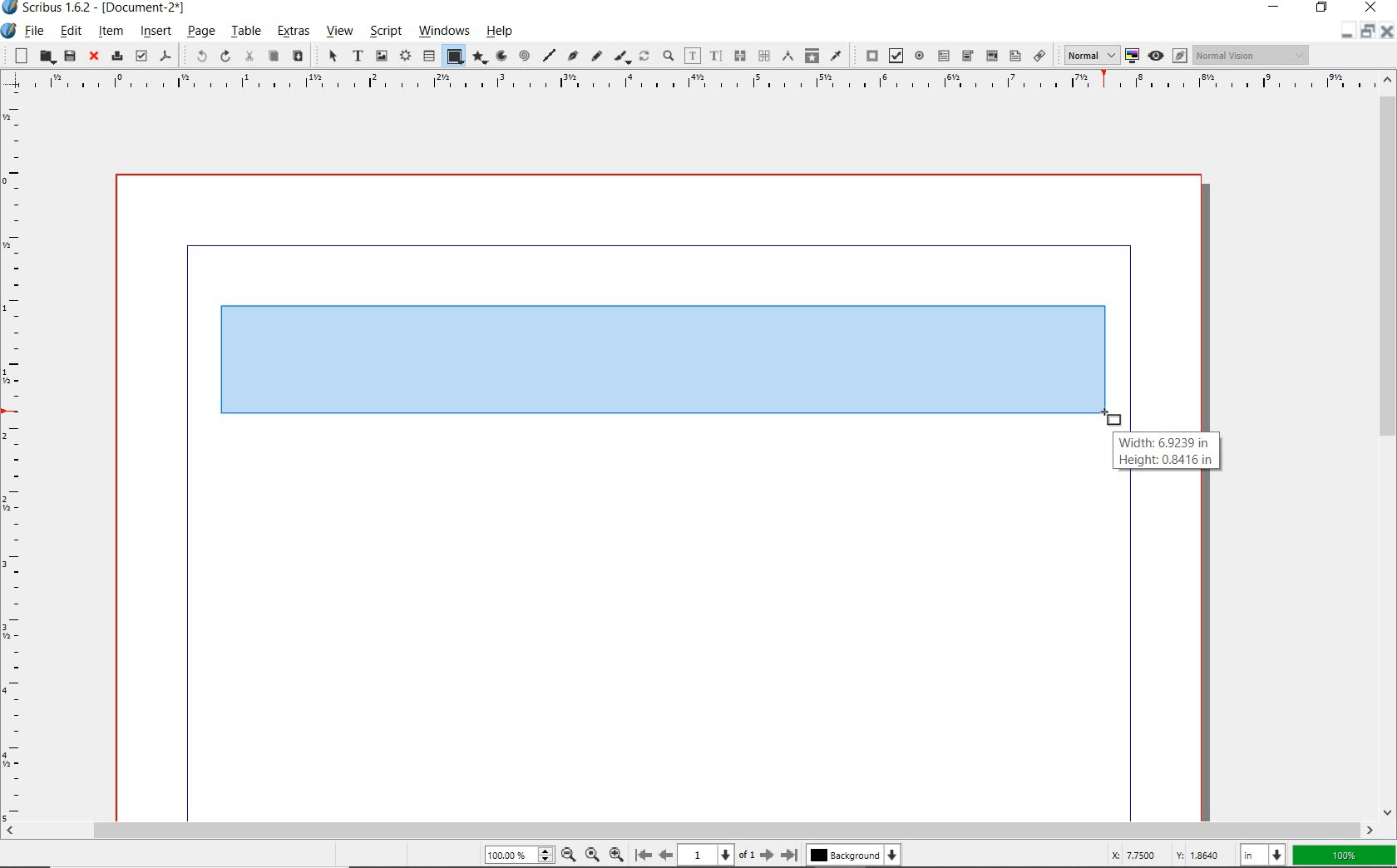  I want to click on visual appearance of display, so click(1254, 54).